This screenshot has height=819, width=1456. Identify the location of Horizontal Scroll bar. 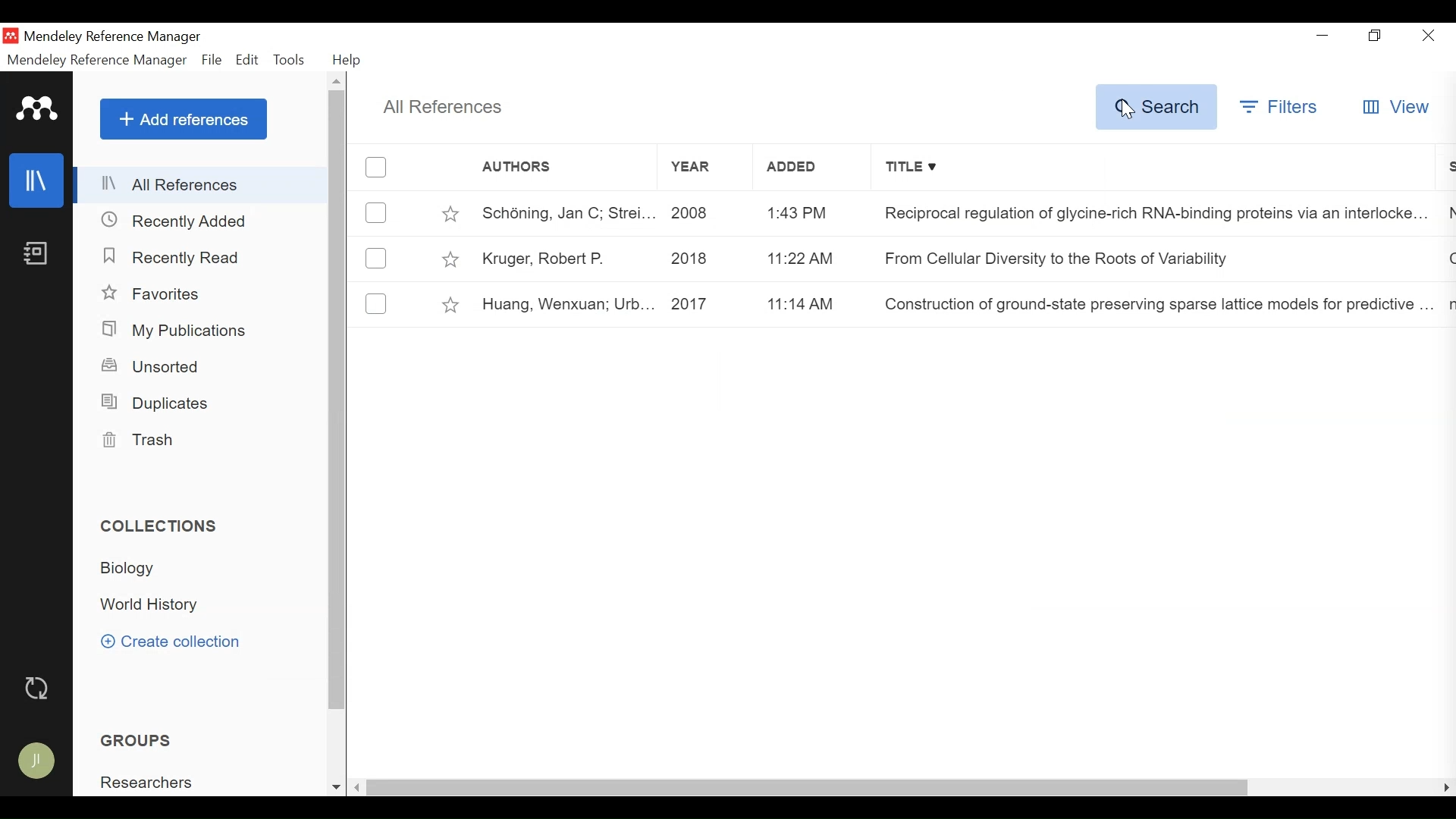
(809, 789).